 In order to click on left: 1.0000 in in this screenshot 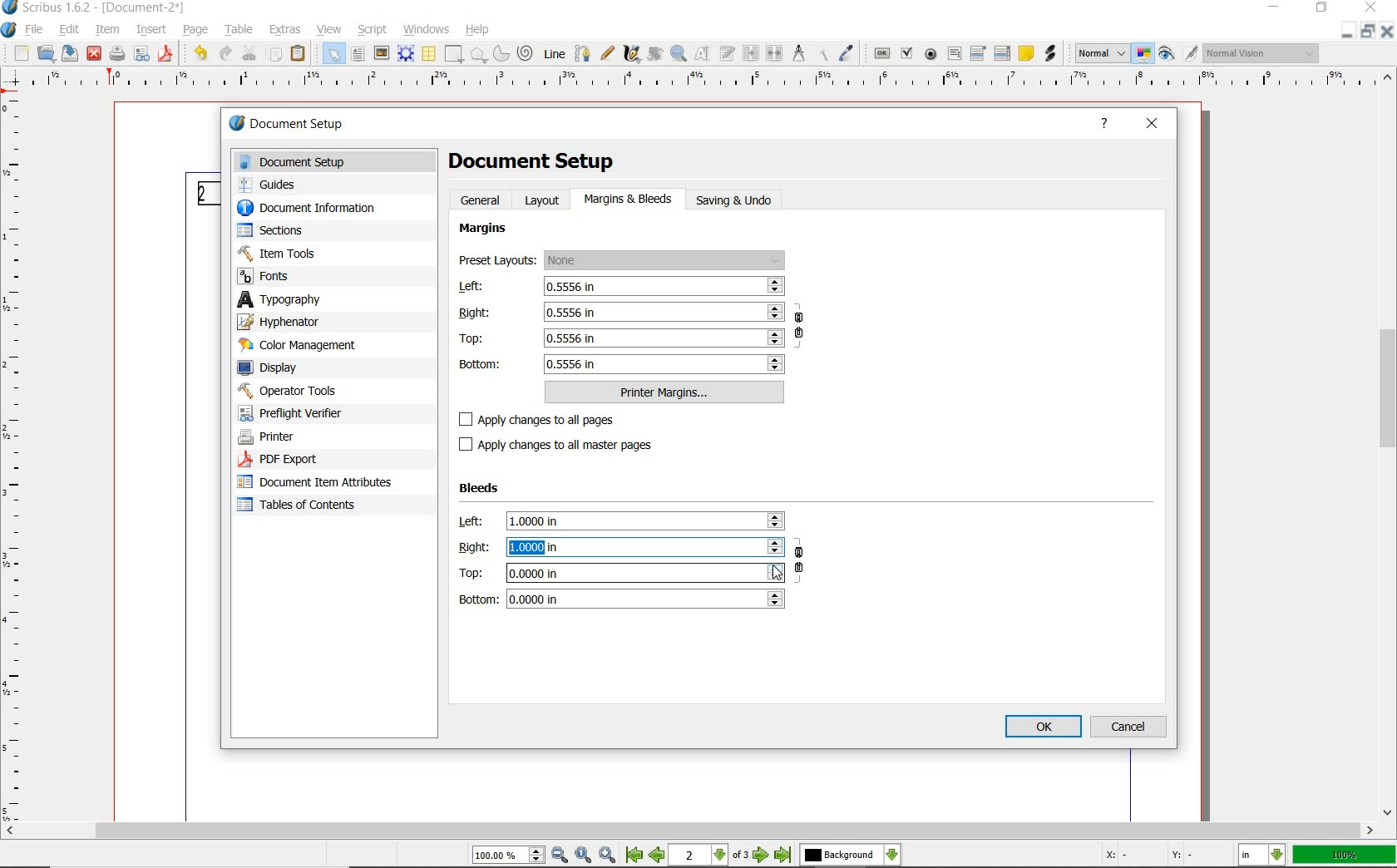, I will do `click(621, 521)`.